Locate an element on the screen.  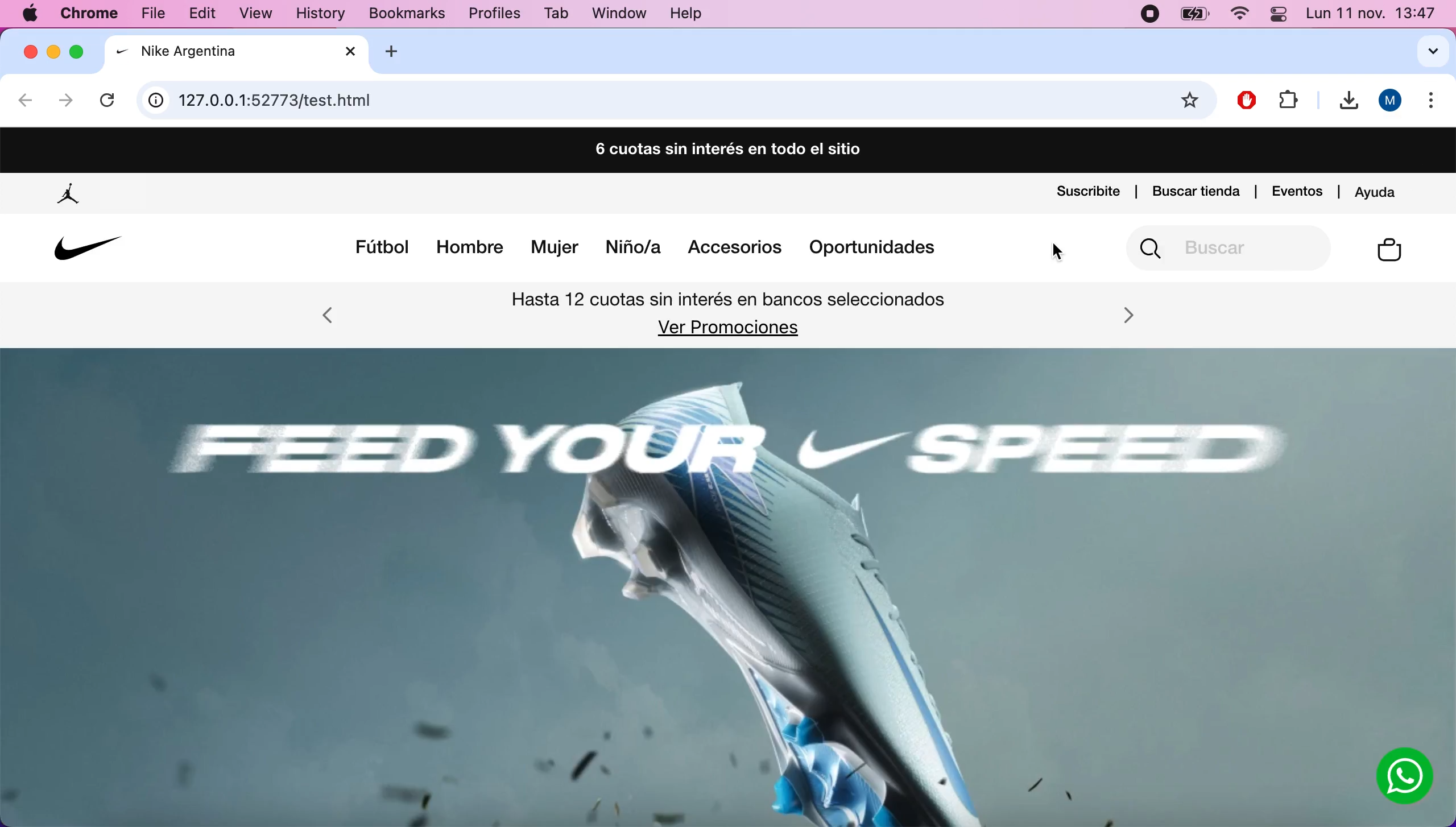
Search Bar is located at coordinates (1232, 248).